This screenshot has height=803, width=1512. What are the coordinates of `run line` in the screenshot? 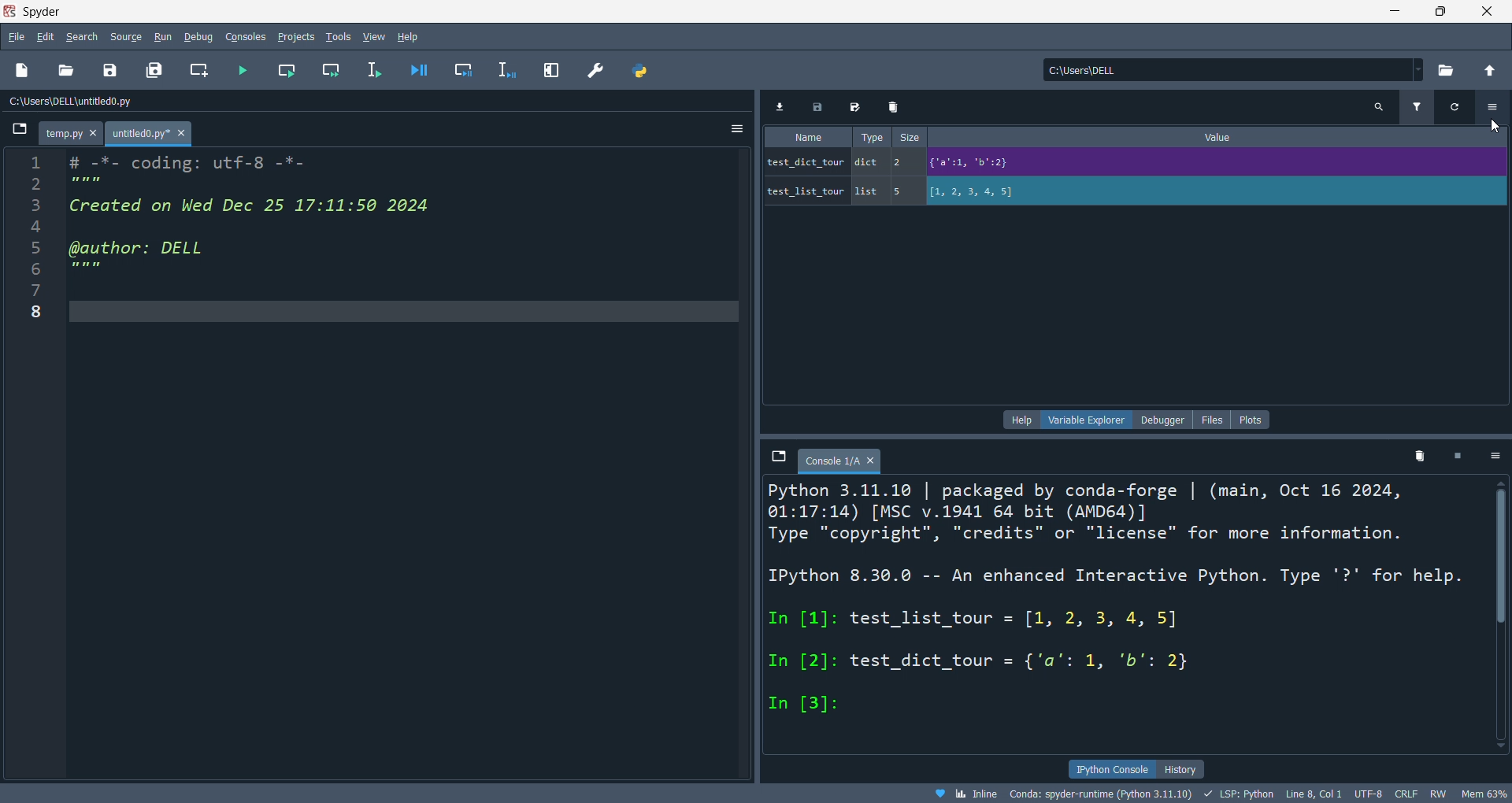 It's located at (372, 68).